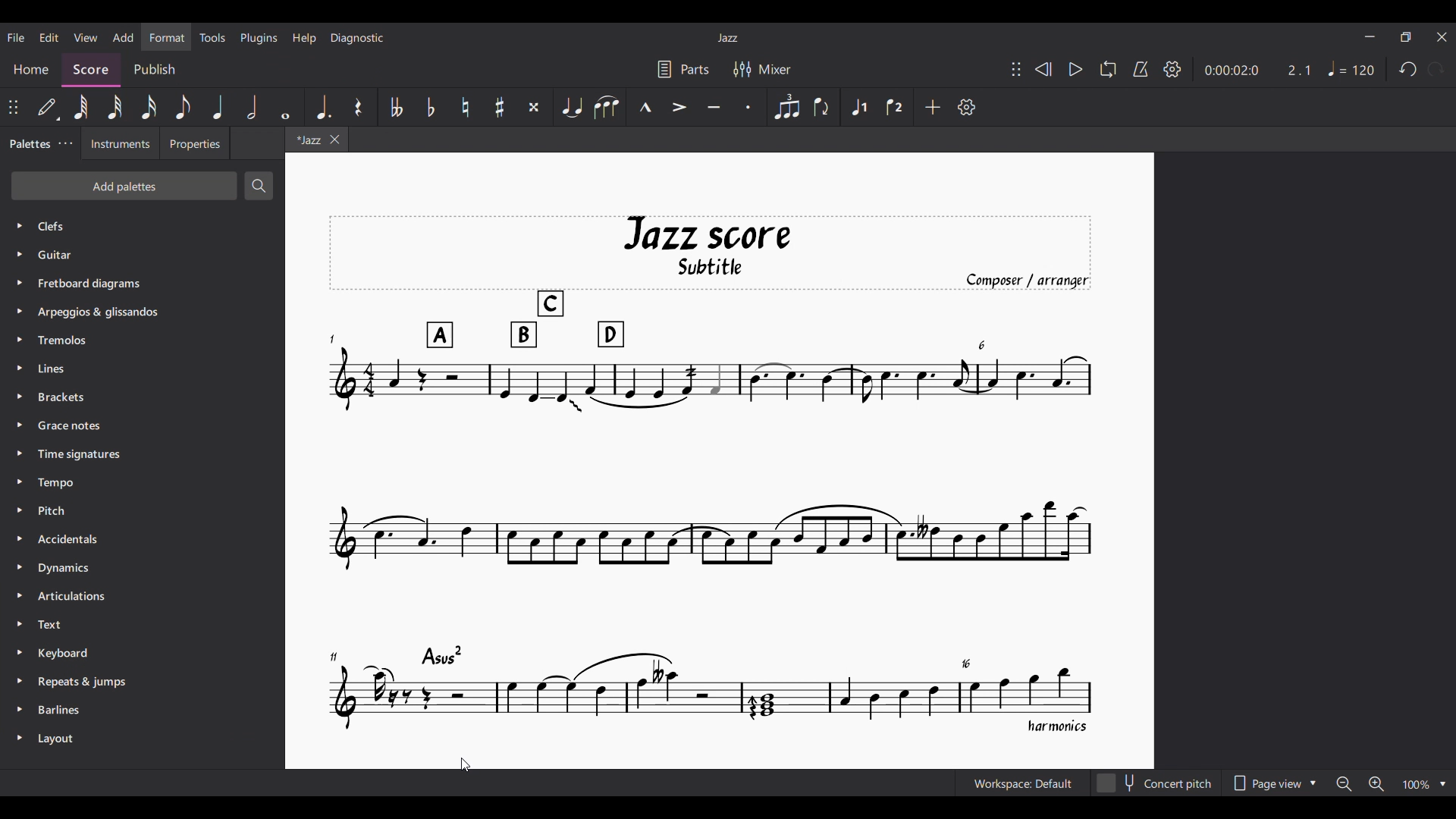 The image size is (1456, 819). What do you see at coordinates (155, 71) in the screenshot?
I see `Publish section` at bounding box center [155, 71].